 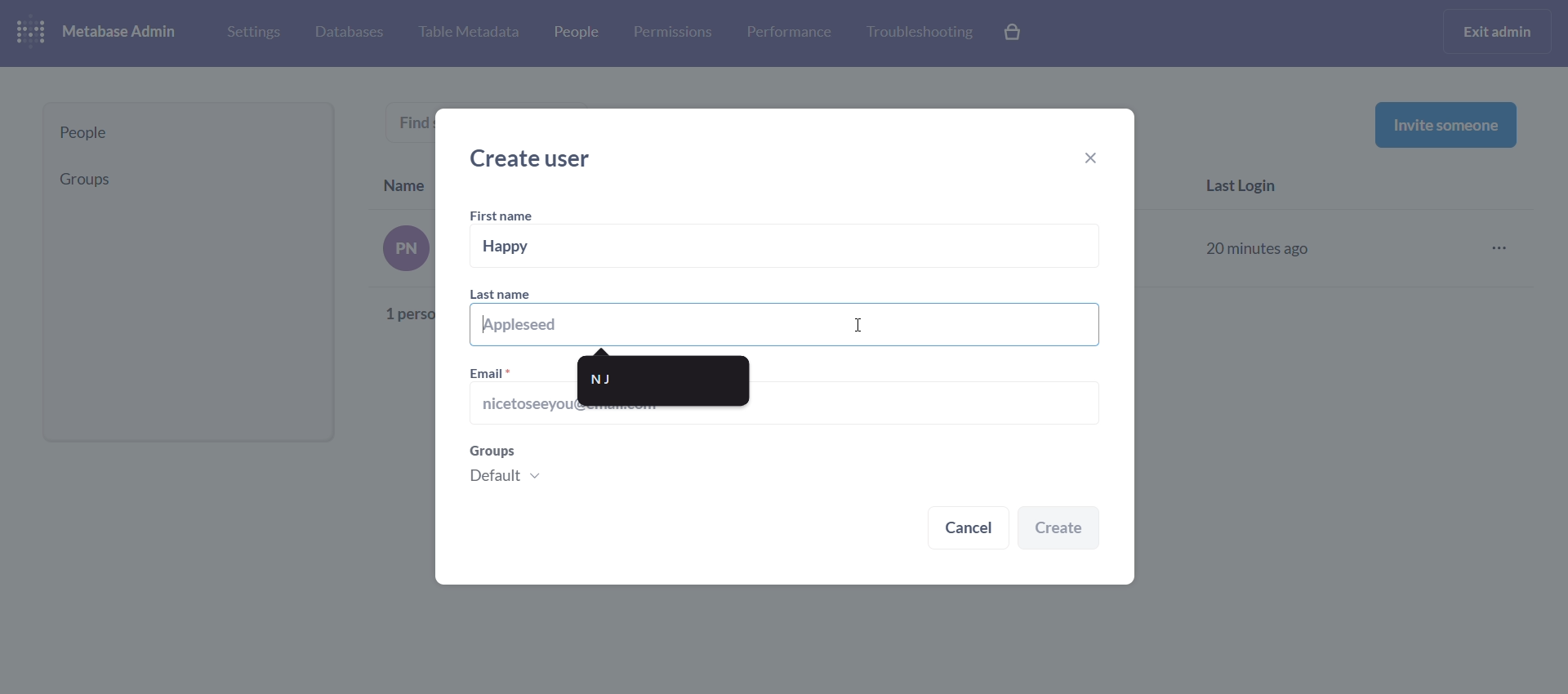 What do you see at coordinates (1059, 529) in the screenshot?
I see `create` at bounding box center [1059, 529].